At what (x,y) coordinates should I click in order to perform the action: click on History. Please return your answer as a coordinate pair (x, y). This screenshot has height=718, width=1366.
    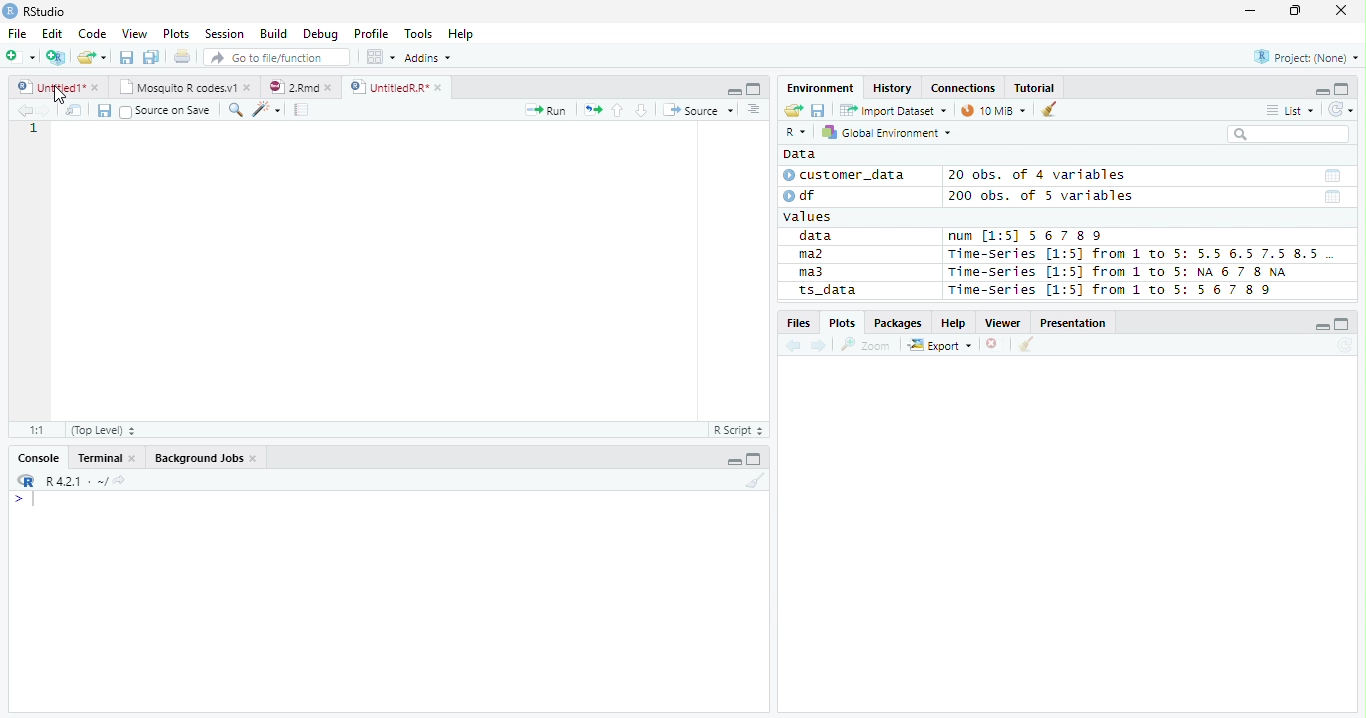
    Looking at the image, I should click on (894, 89).